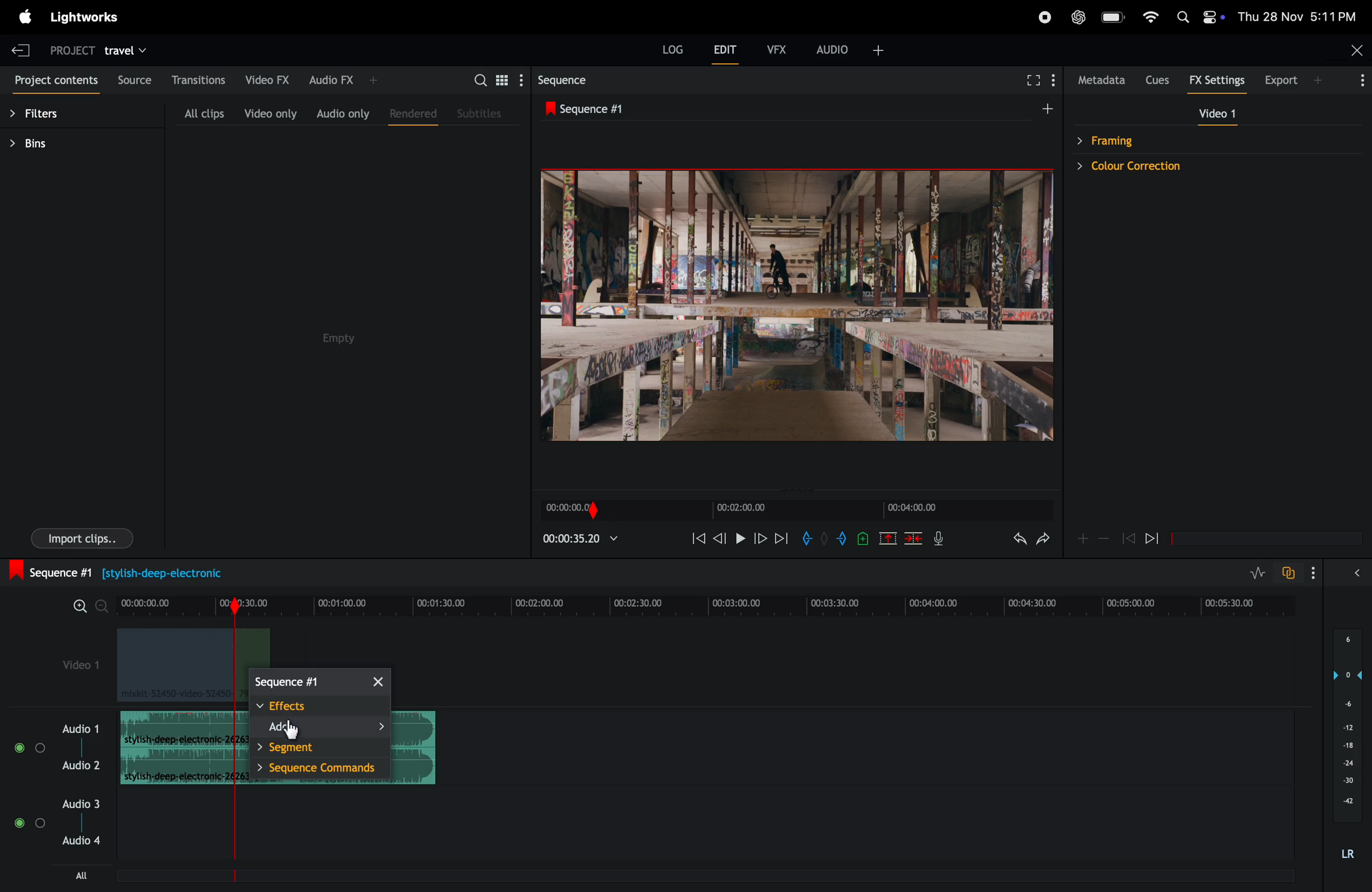  What do you see at coordinates (17, 823) in the screenshot?
I see `Toggle` at bounding box center [17, 823].